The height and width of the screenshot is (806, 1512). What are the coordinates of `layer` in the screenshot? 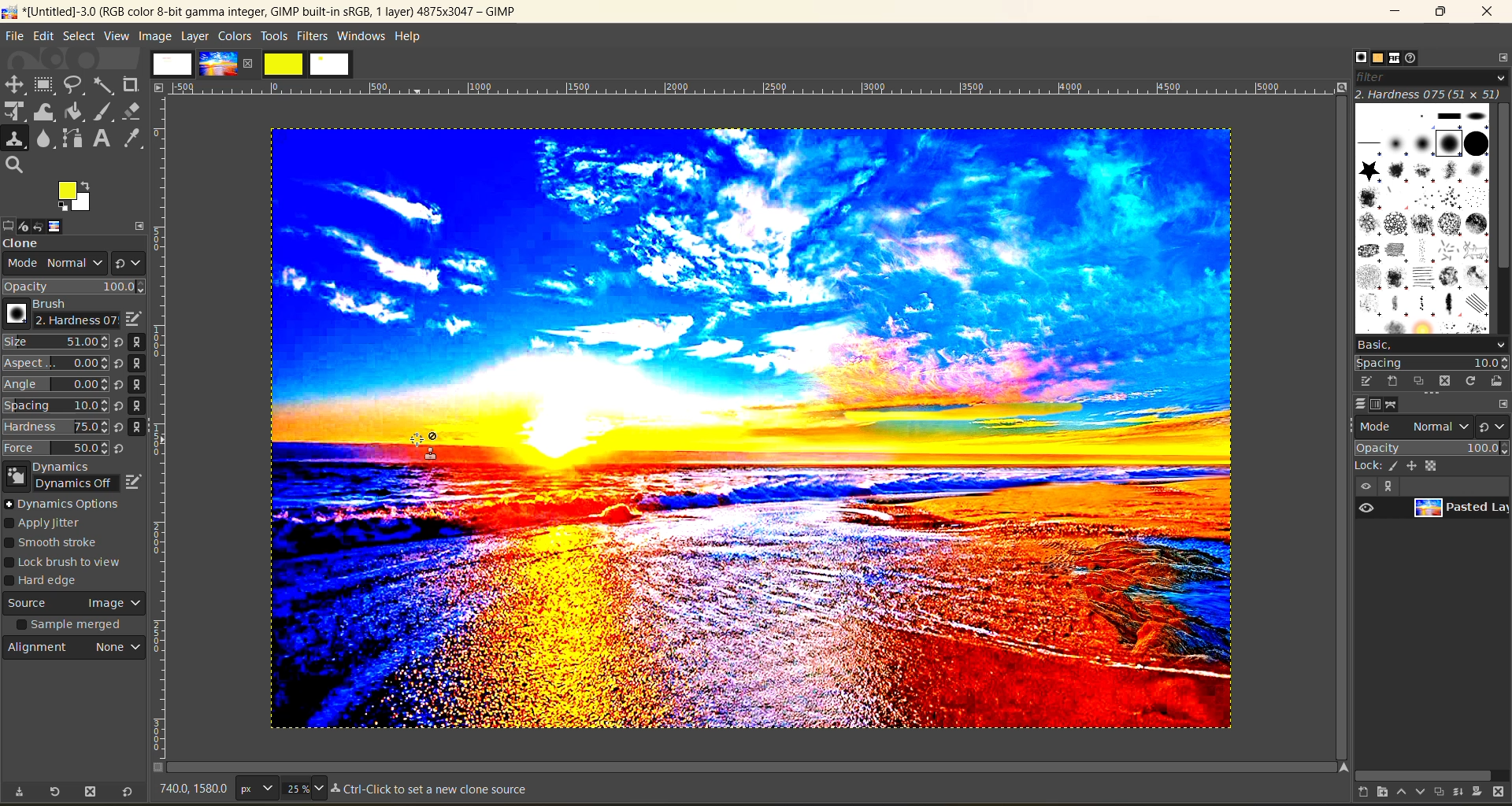 It's located at (195, 35).